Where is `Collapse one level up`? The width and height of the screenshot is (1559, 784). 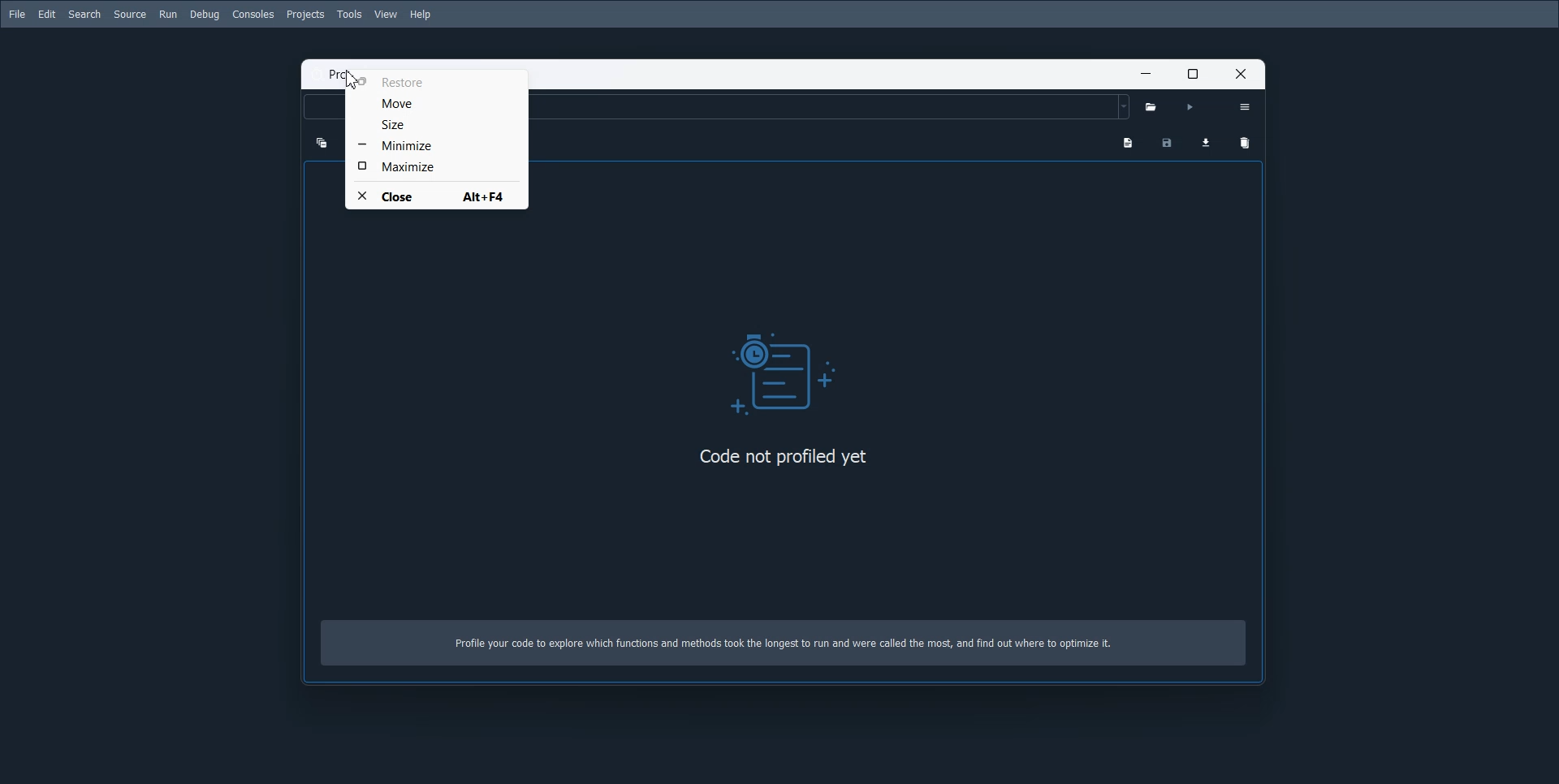 Collapse one level up is located at coordinates (321, 141).